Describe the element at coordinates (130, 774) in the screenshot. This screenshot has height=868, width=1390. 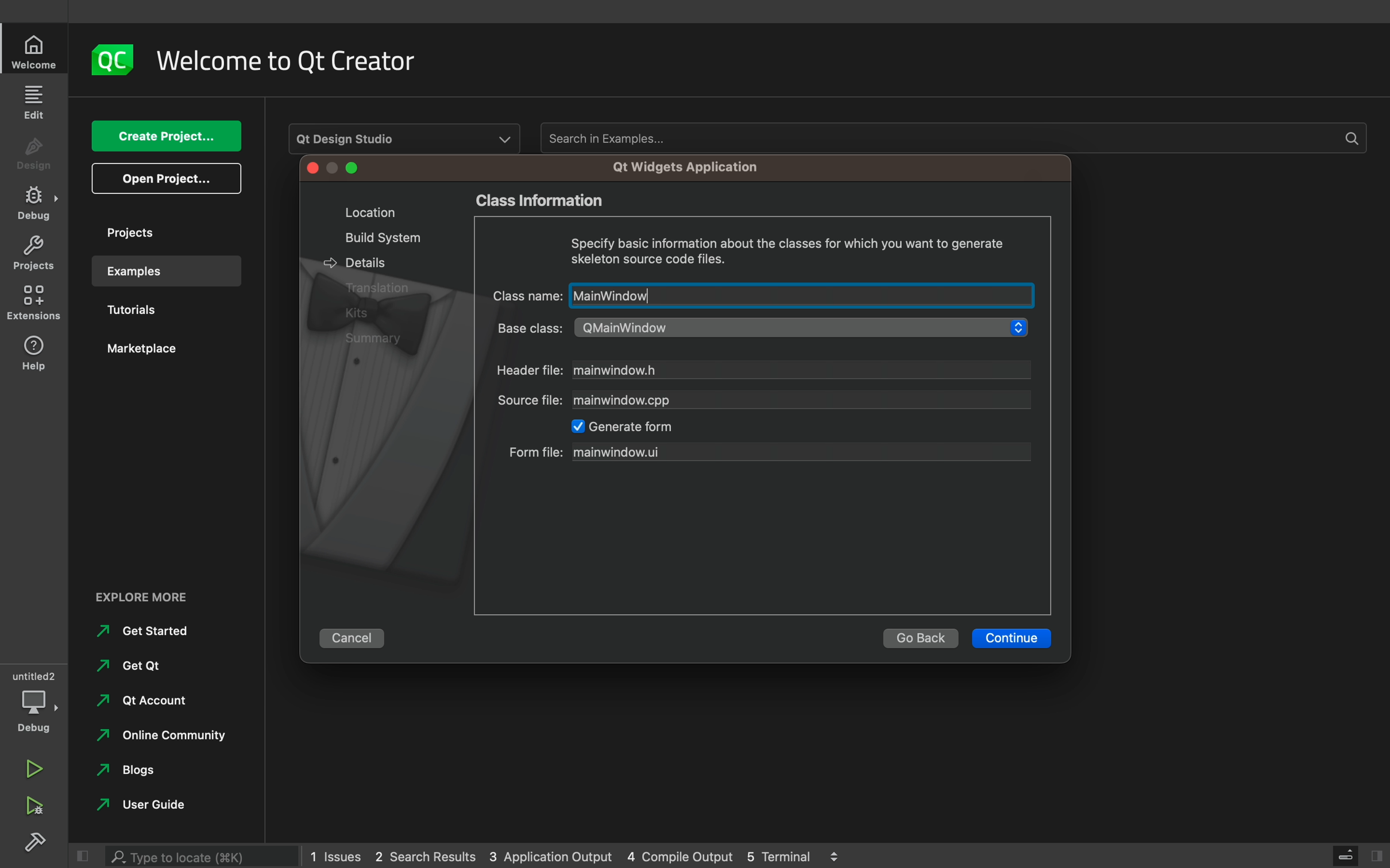
I see `blogs` at that location.